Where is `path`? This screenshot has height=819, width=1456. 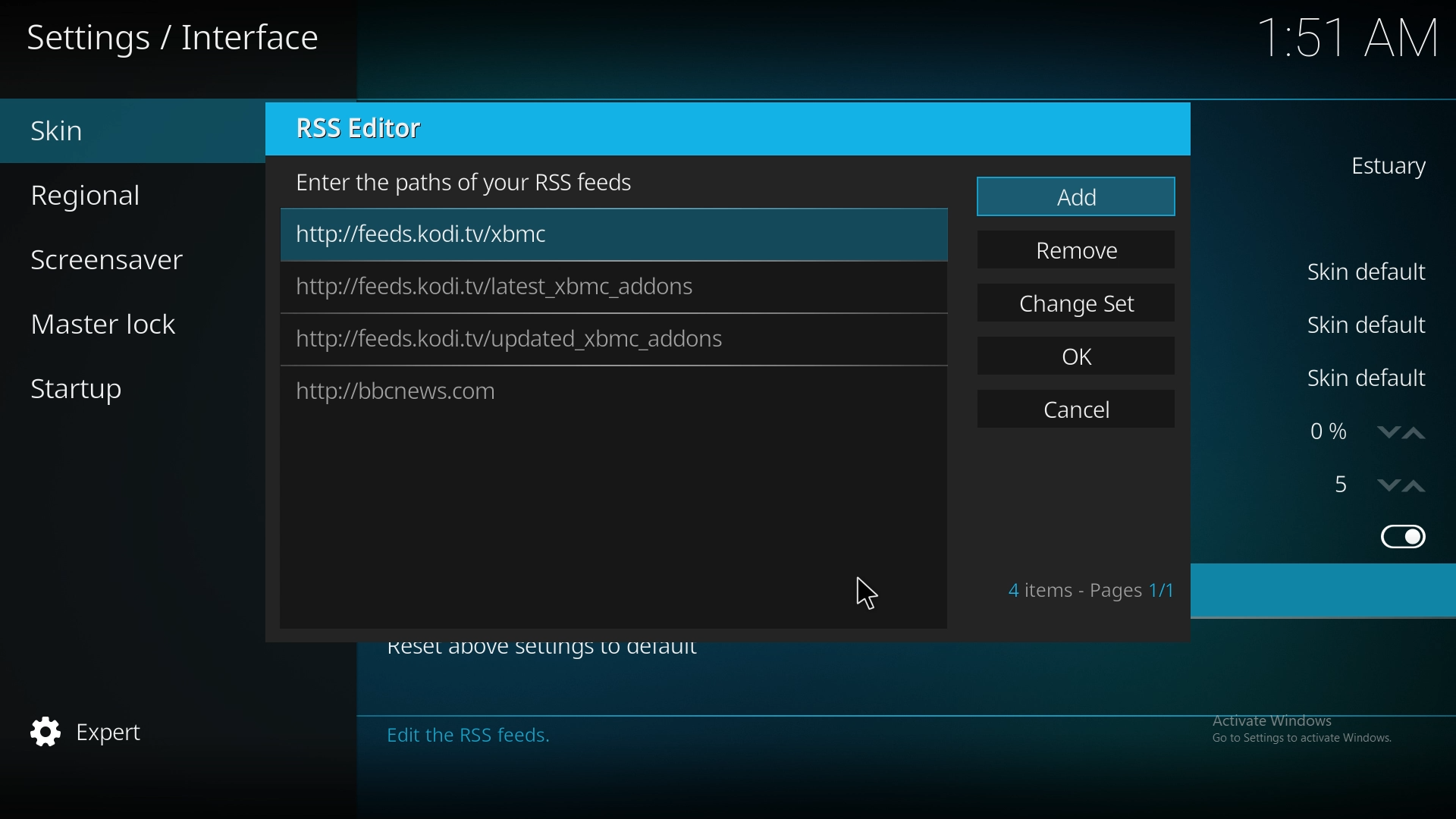 path is located at coordinates (514, 340).